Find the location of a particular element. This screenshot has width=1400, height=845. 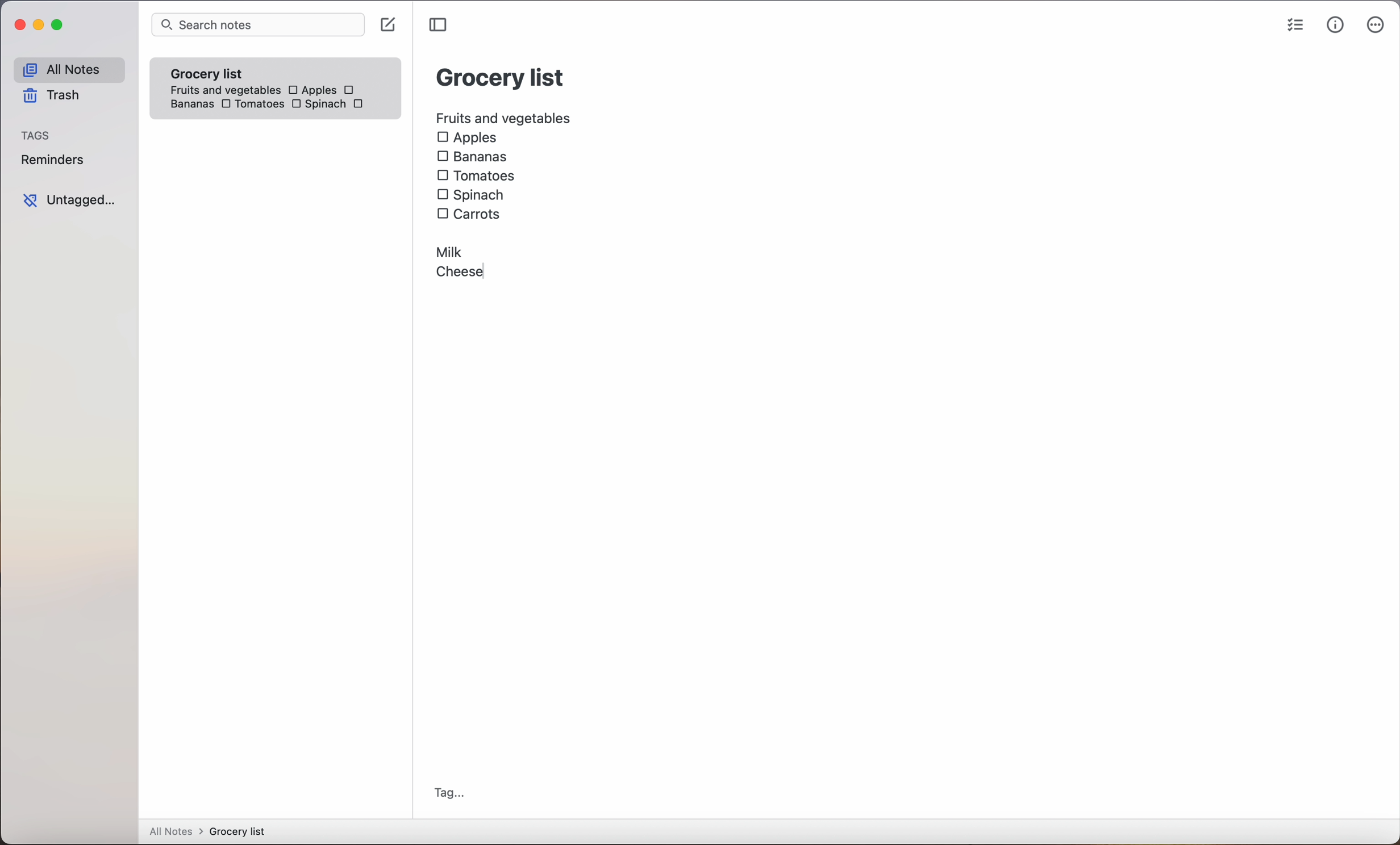

Spinach checkbox is located at coordinates (318, 106).